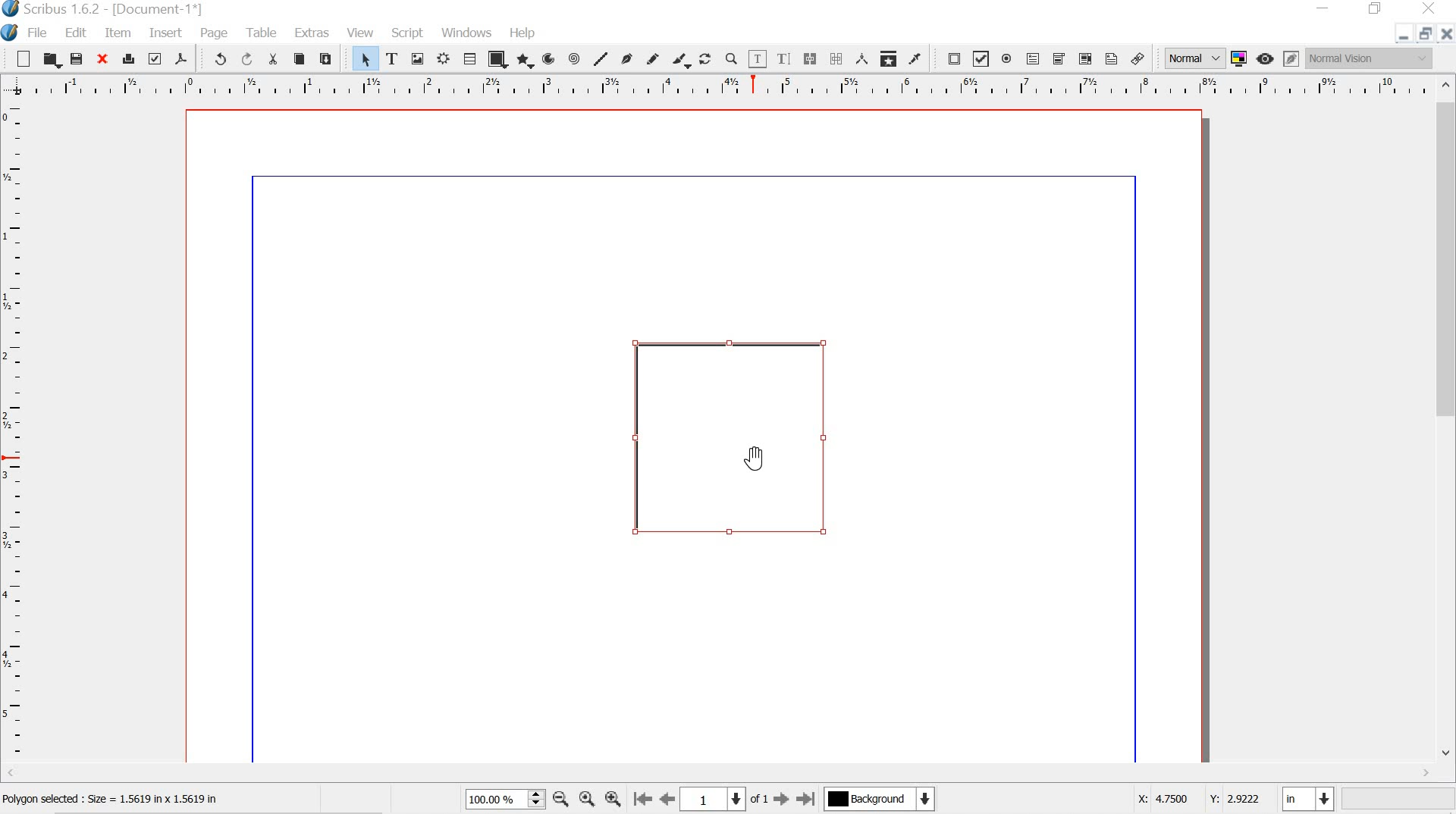 This screenshot has width=1456, height=814. Describe the element at coordinates (408, 31) in the screenshot. I see `script` at that location.